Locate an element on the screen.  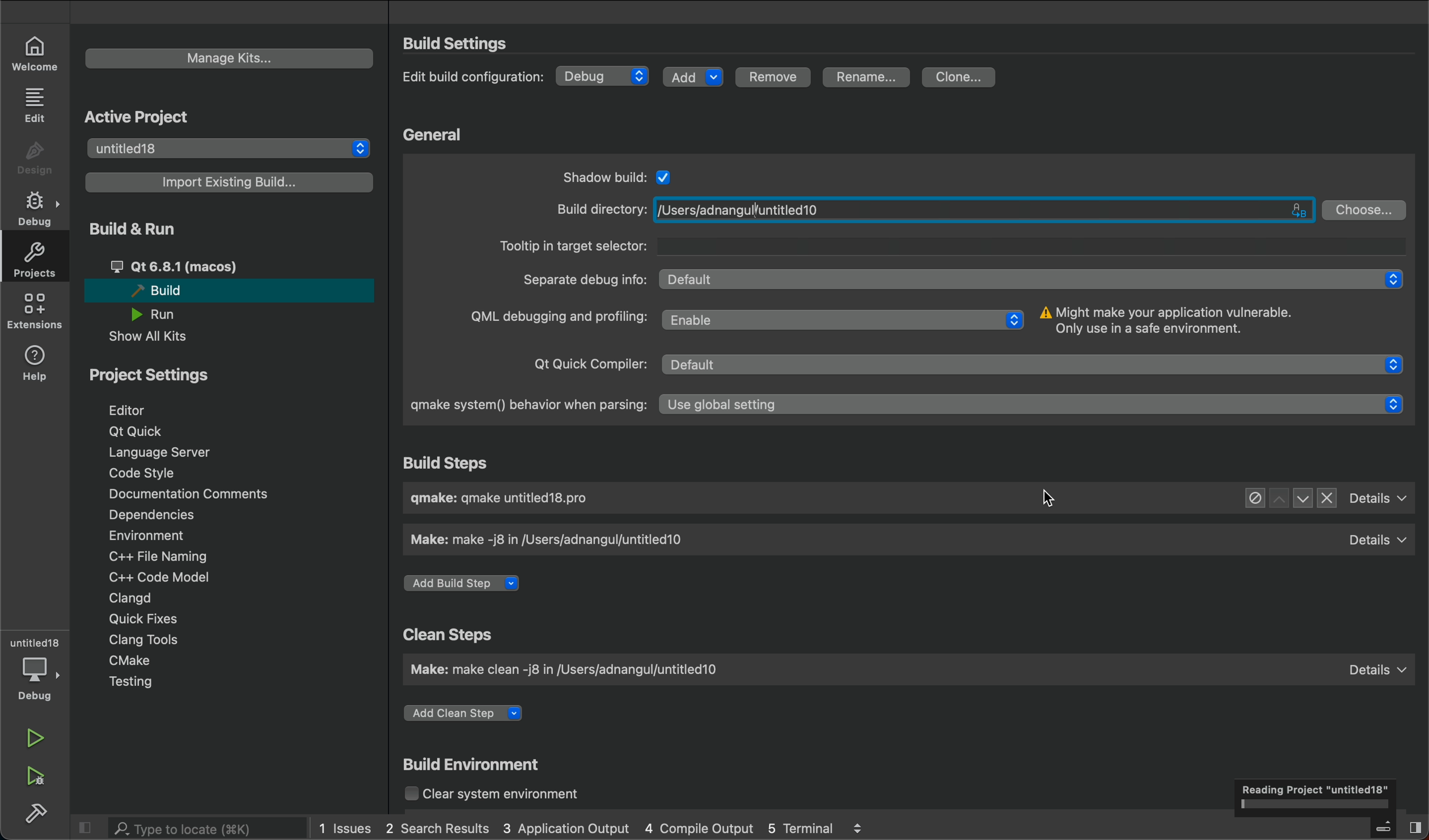
Previous is located at coordinates (1277, 499).